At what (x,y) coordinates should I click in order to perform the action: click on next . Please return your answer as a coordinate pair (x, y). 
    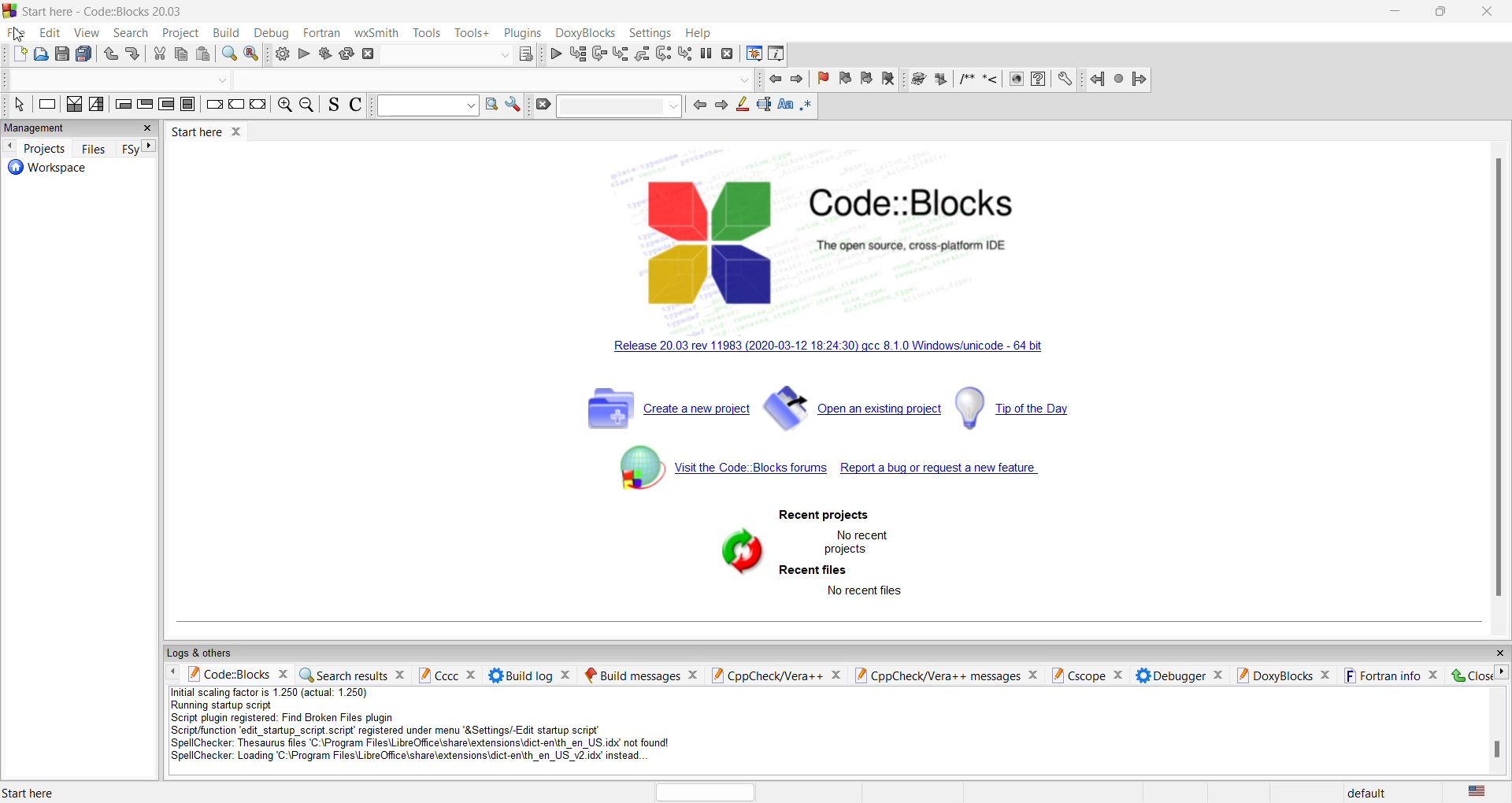
    Looking at the image, I should click on (796, 83).